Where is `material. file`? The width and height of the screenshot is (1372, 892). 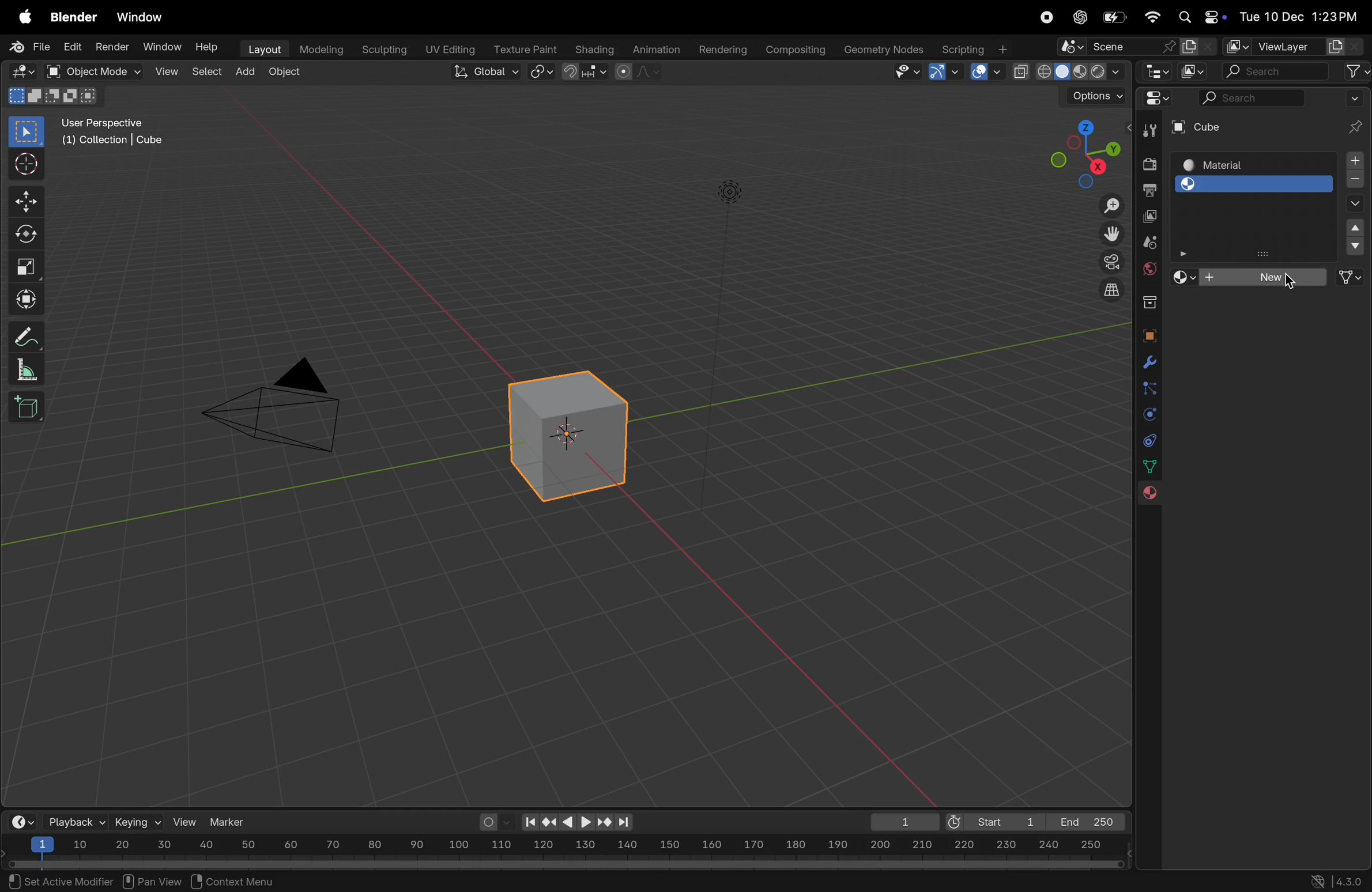 material. file is located at coordinates (1253, 248).